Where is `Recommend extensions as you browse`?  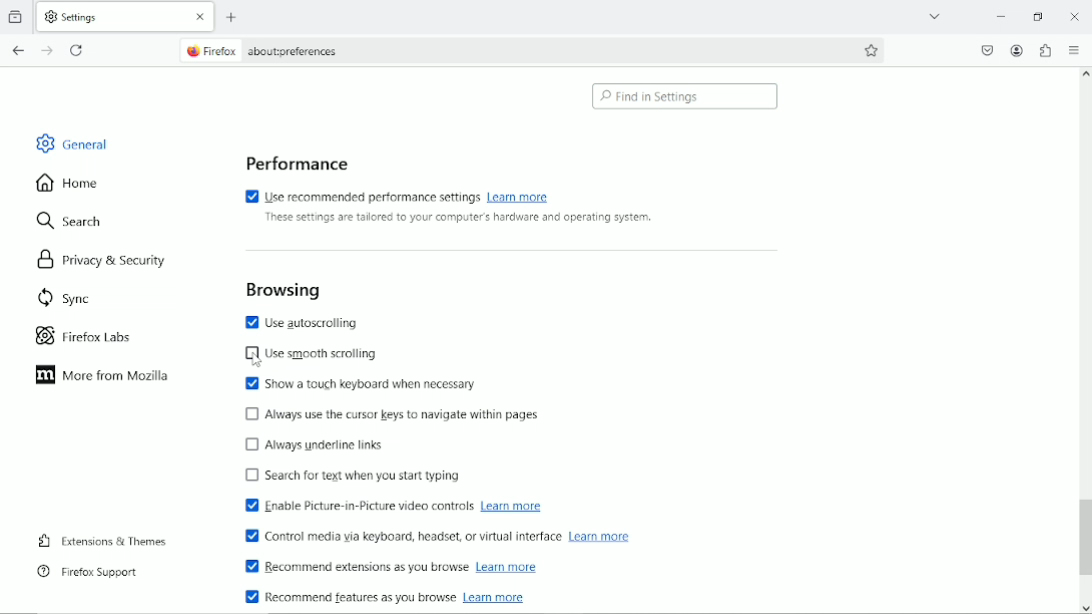 Recommend extensions as you browse is located at coordinates (353, 568).